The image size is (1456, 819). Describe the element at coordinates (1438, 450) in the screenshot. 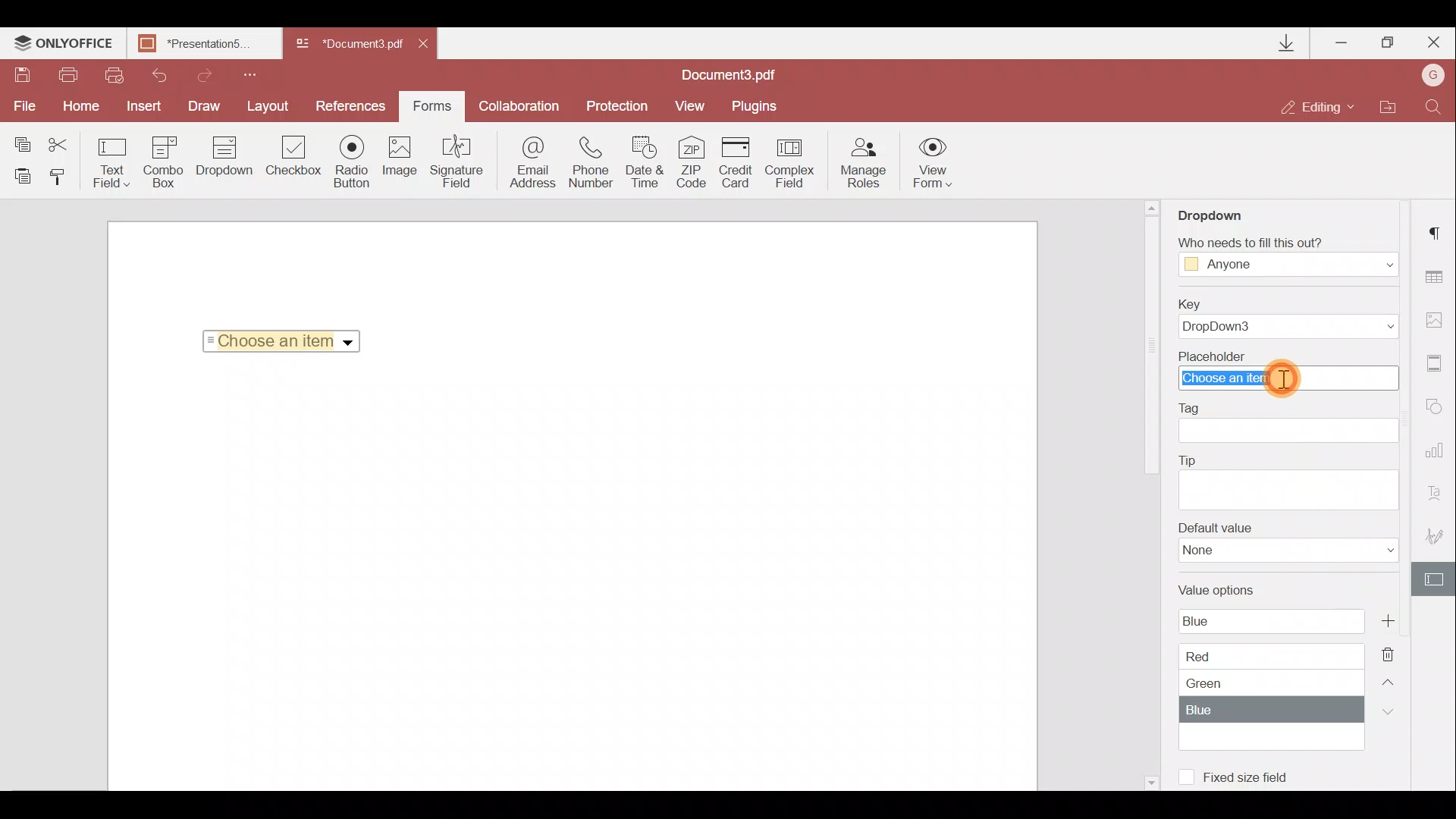

I see `Chart settings` at that location.